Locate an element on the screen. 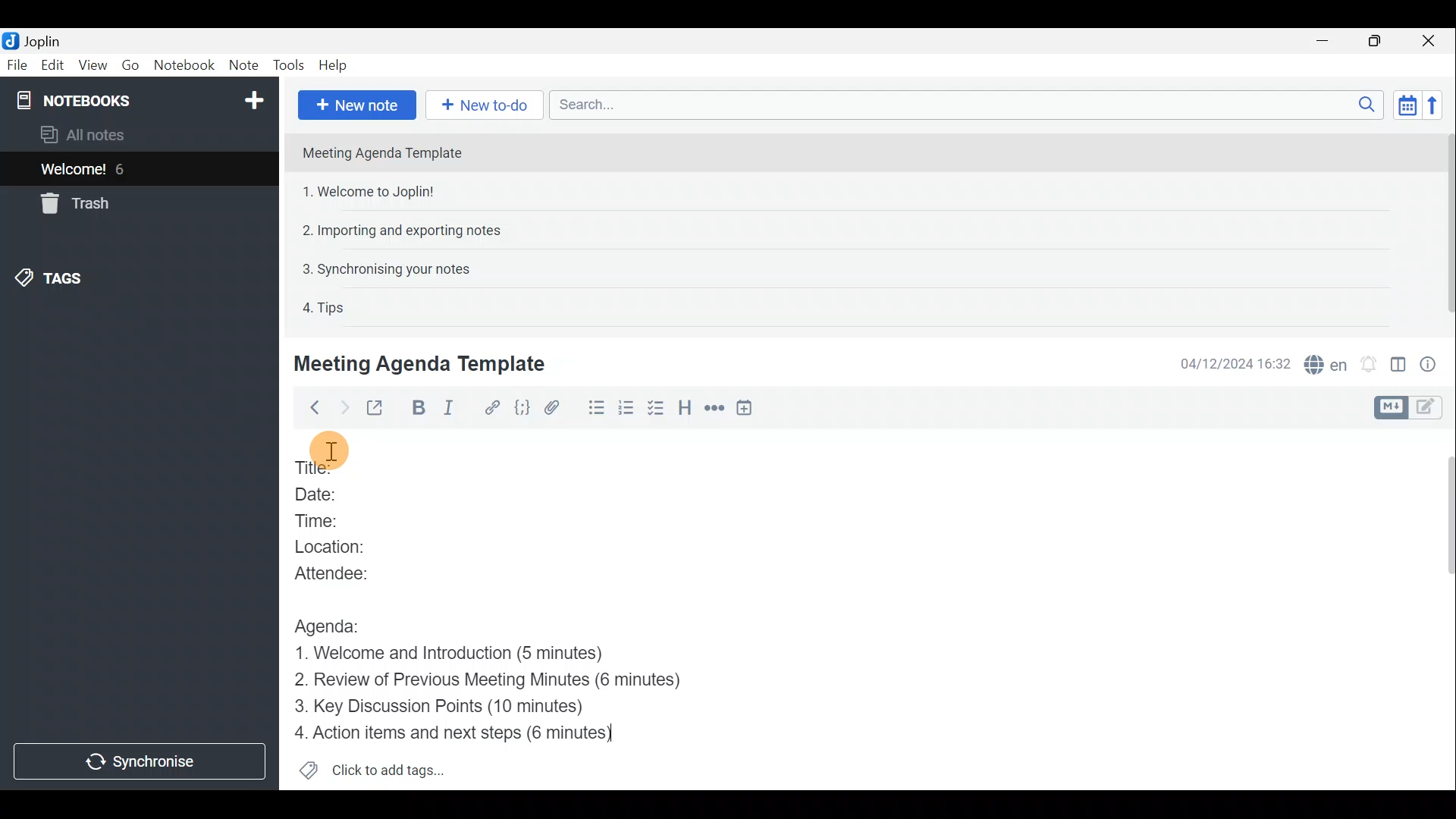  Spell checker is located at coordinates (1327, 362).